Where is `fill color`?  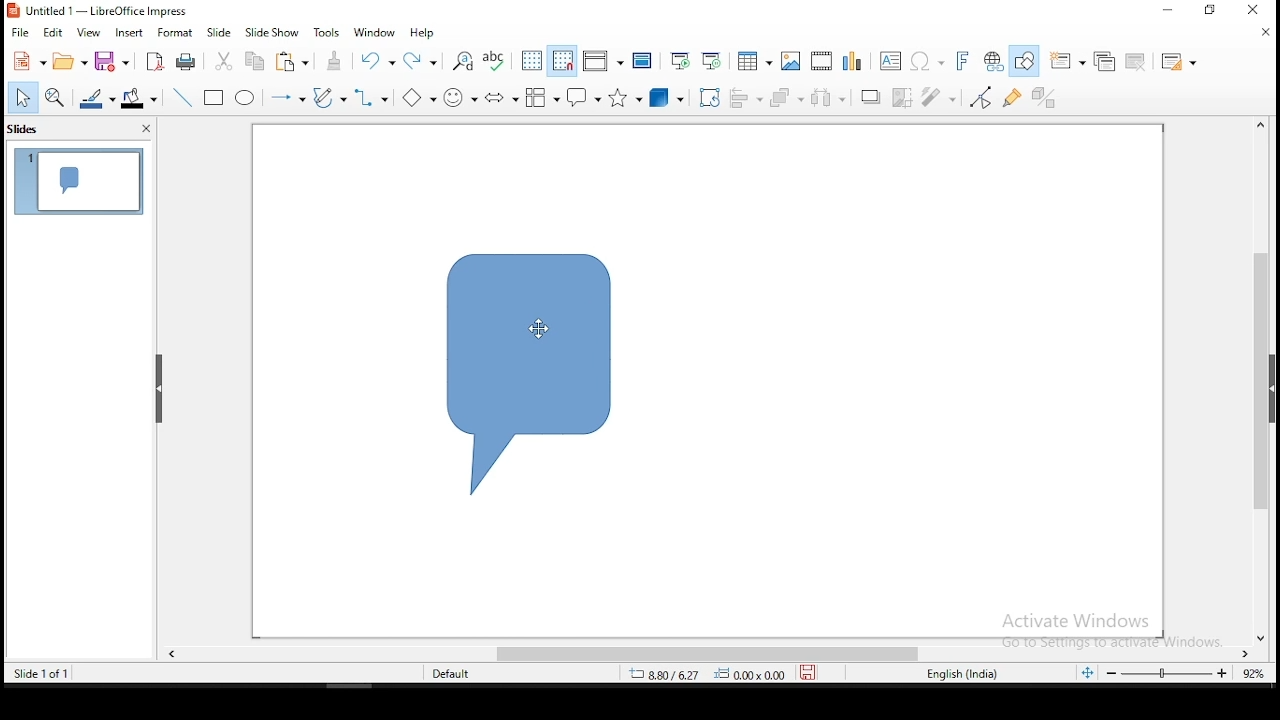
fill color is located at coordinates (137, 99).